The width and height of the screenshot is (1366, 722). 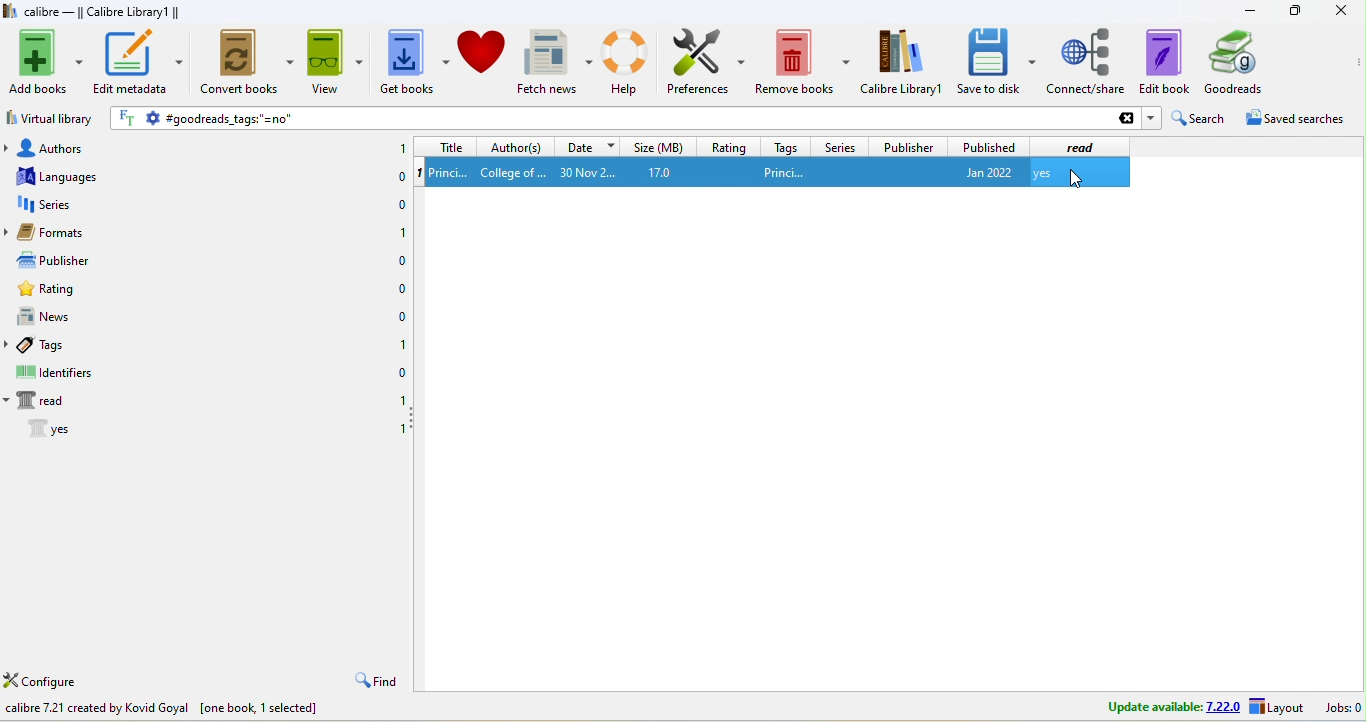 I want to click on read, so click(x=1086, y=146).